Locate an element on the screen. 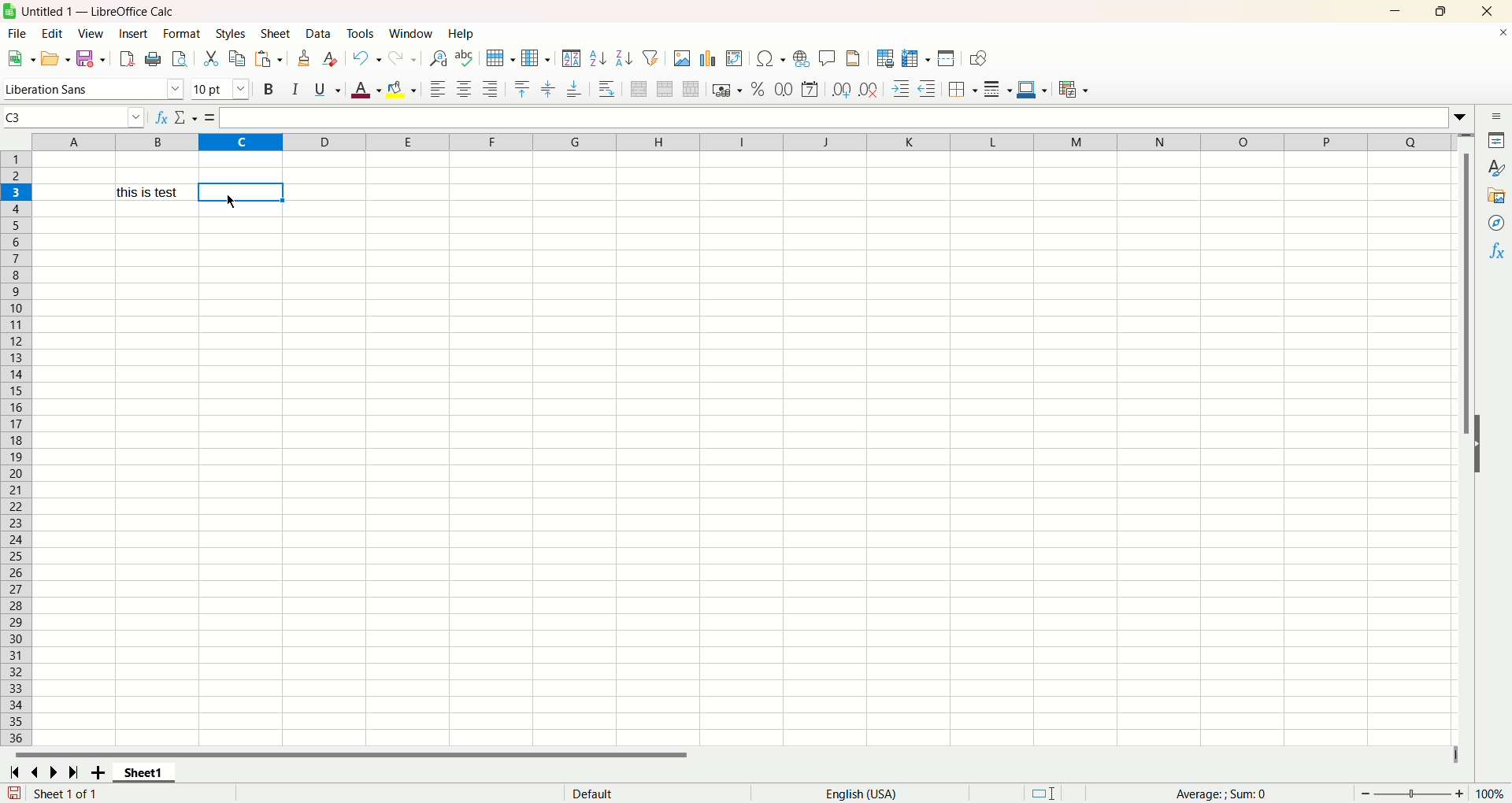 The height and width of the screenshot is (803, 1512). redo is located at coordinates (406, 56).